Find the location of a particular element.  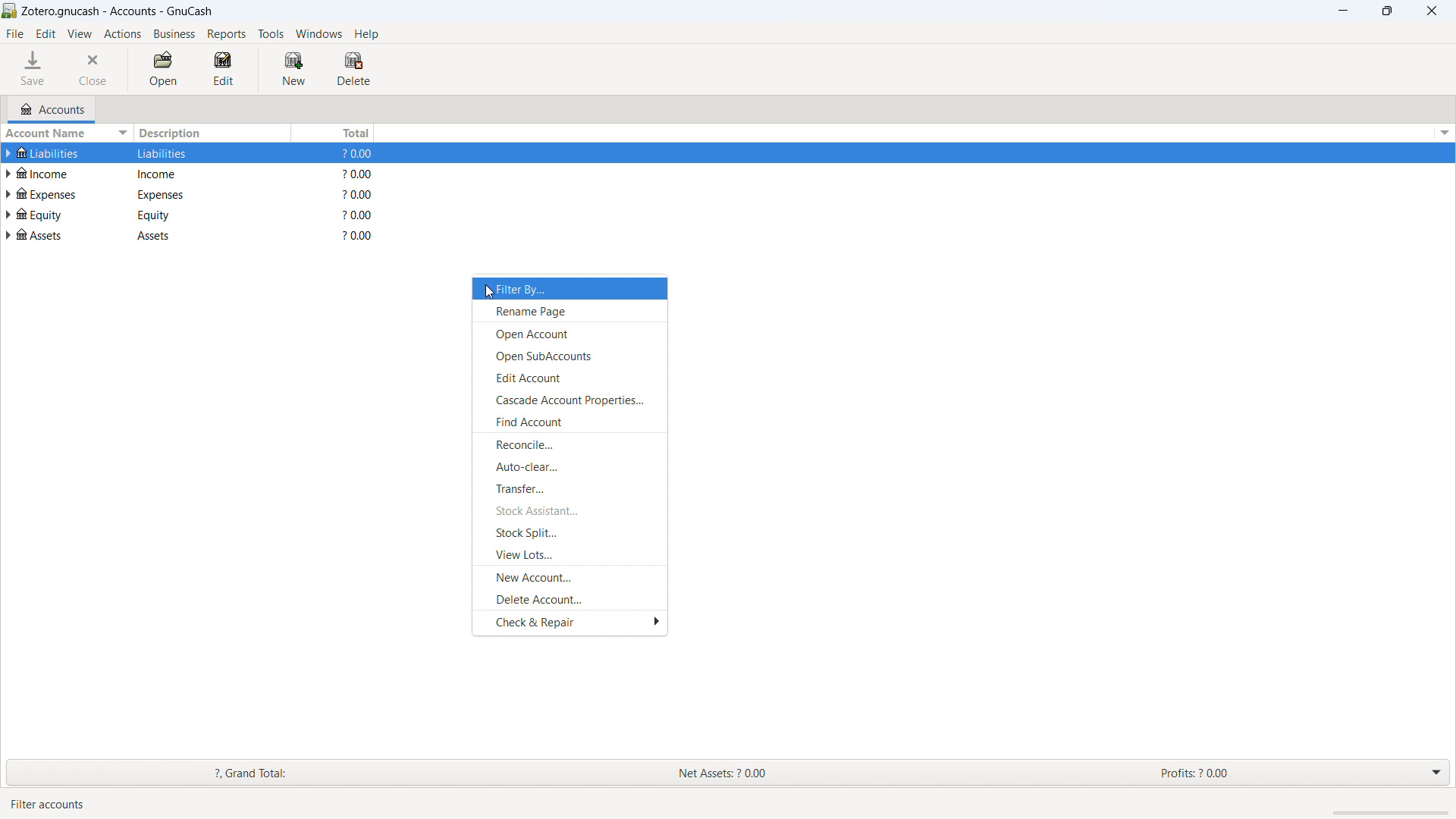

Filter accounts is located at coordinates (49, 805).